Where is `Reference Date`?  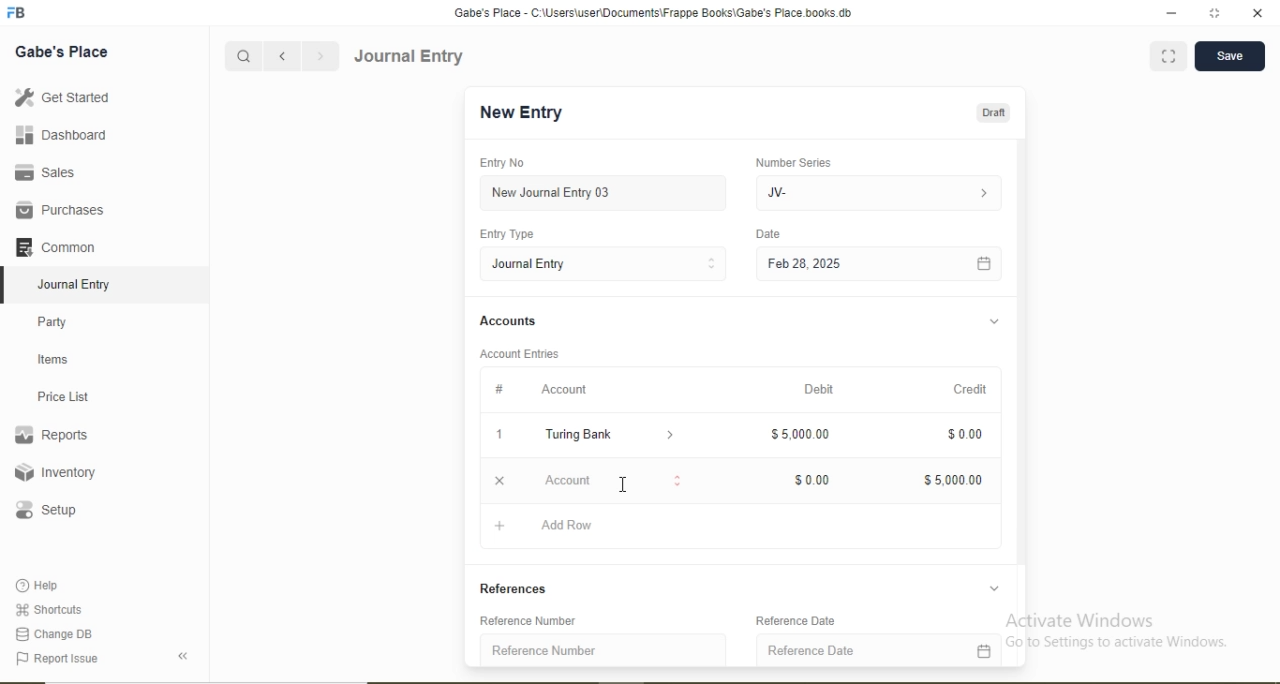
Reference Date is located at coordinates (812, 650).